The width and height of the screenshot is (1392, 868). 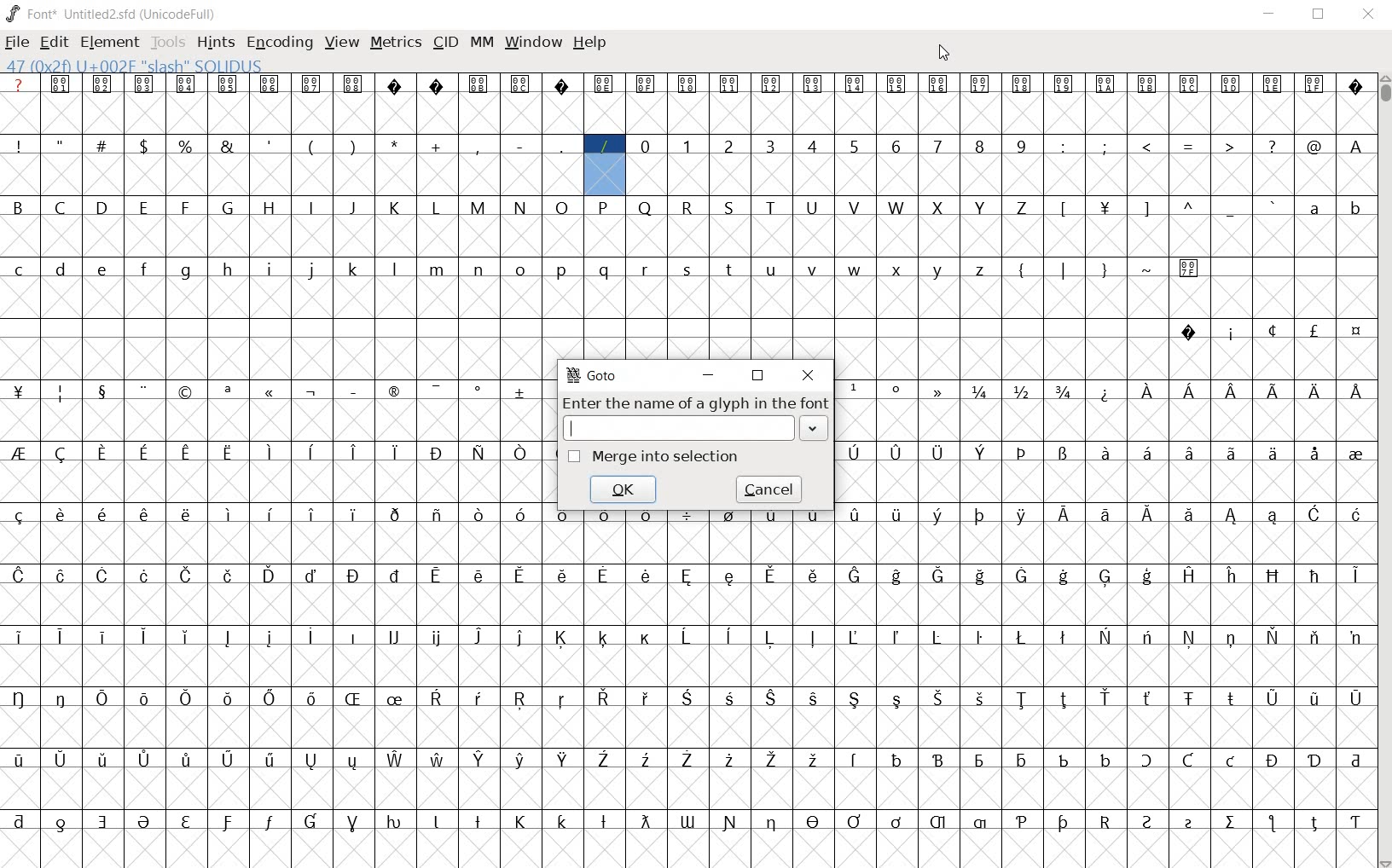 What do you see at coordinates (269, 638) in the screenshot?
I see `glyph` at bounding box center [269, 638].